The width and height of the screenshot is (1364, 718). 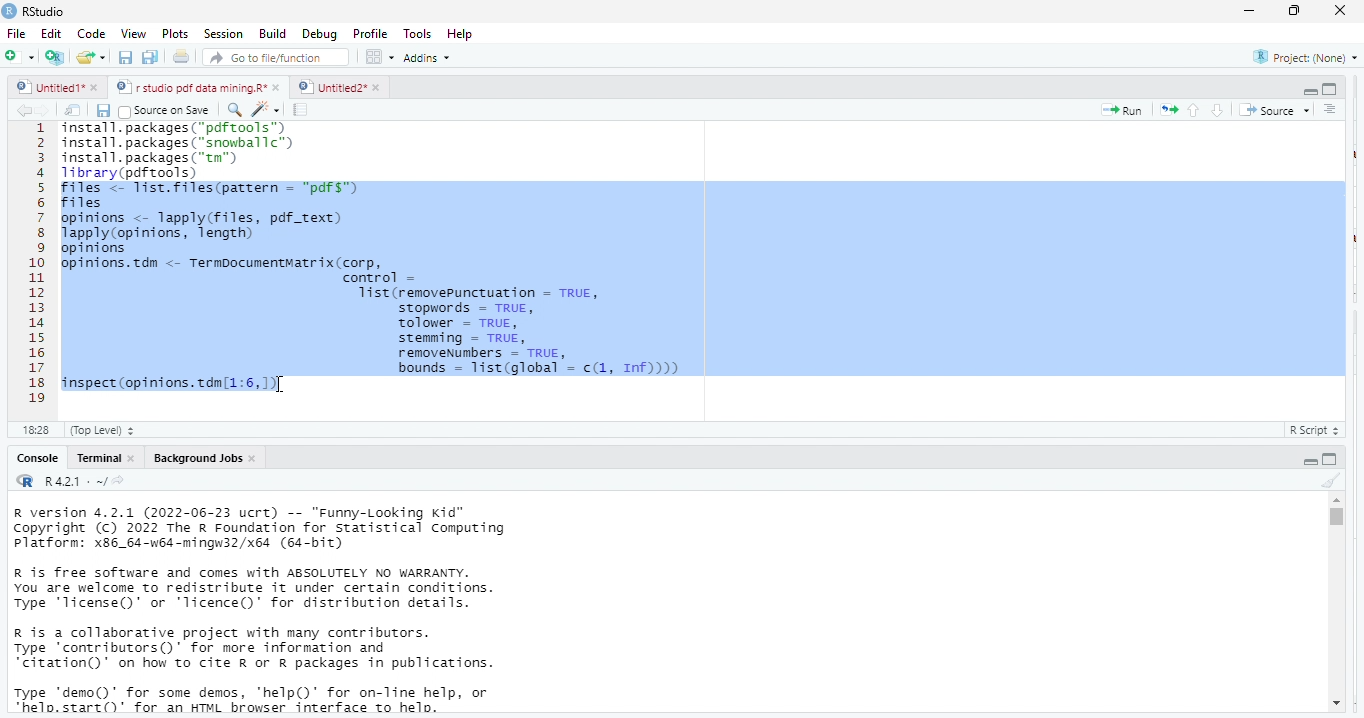 What do you see at coordinates (1319, 430) in the screenshot?
I see `r script` at bounding box center [1319, 430].